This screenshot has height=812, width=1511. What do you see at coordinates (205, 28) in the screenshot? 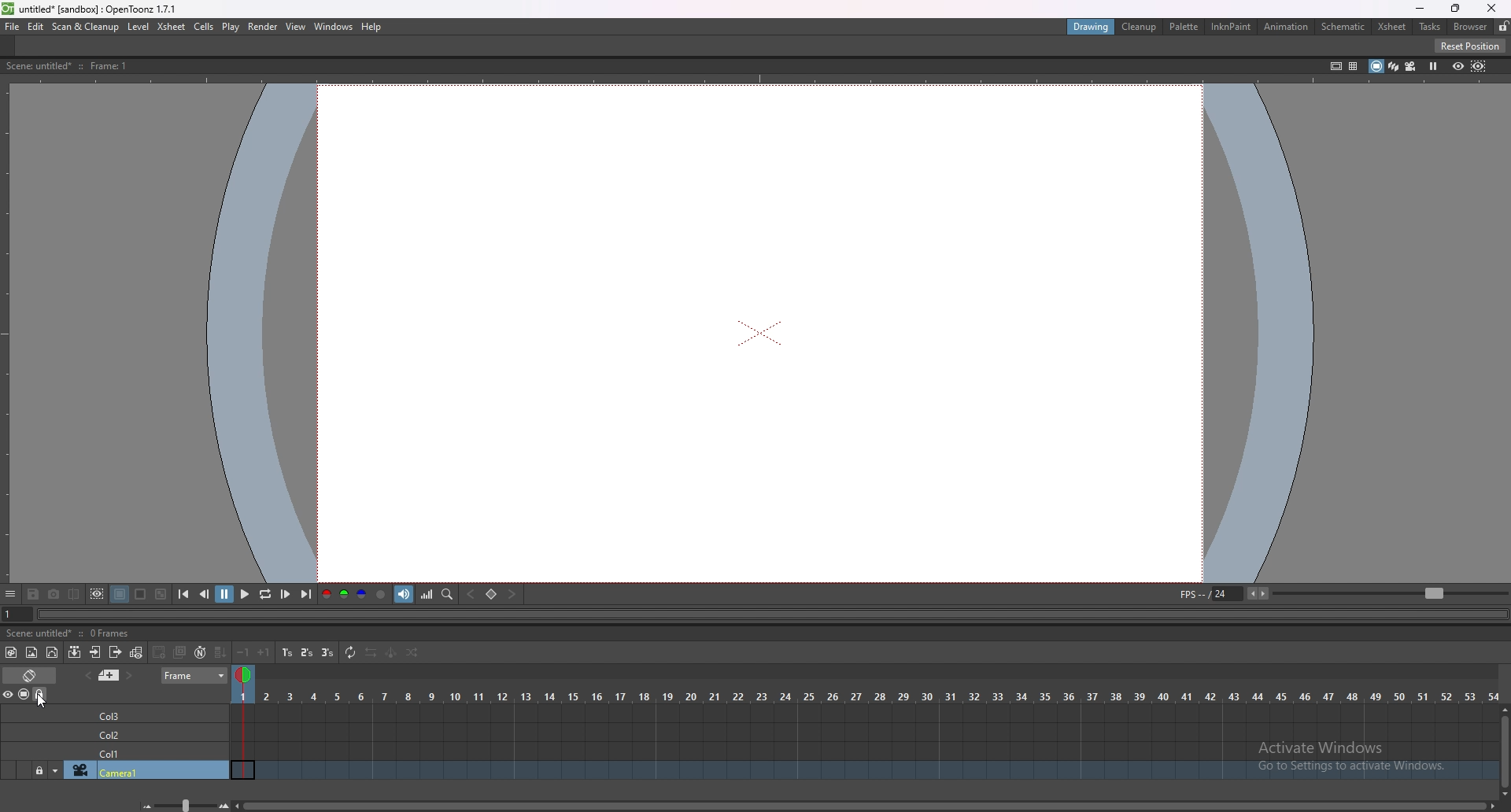
I see `cells` at bounding box center [205, 28].